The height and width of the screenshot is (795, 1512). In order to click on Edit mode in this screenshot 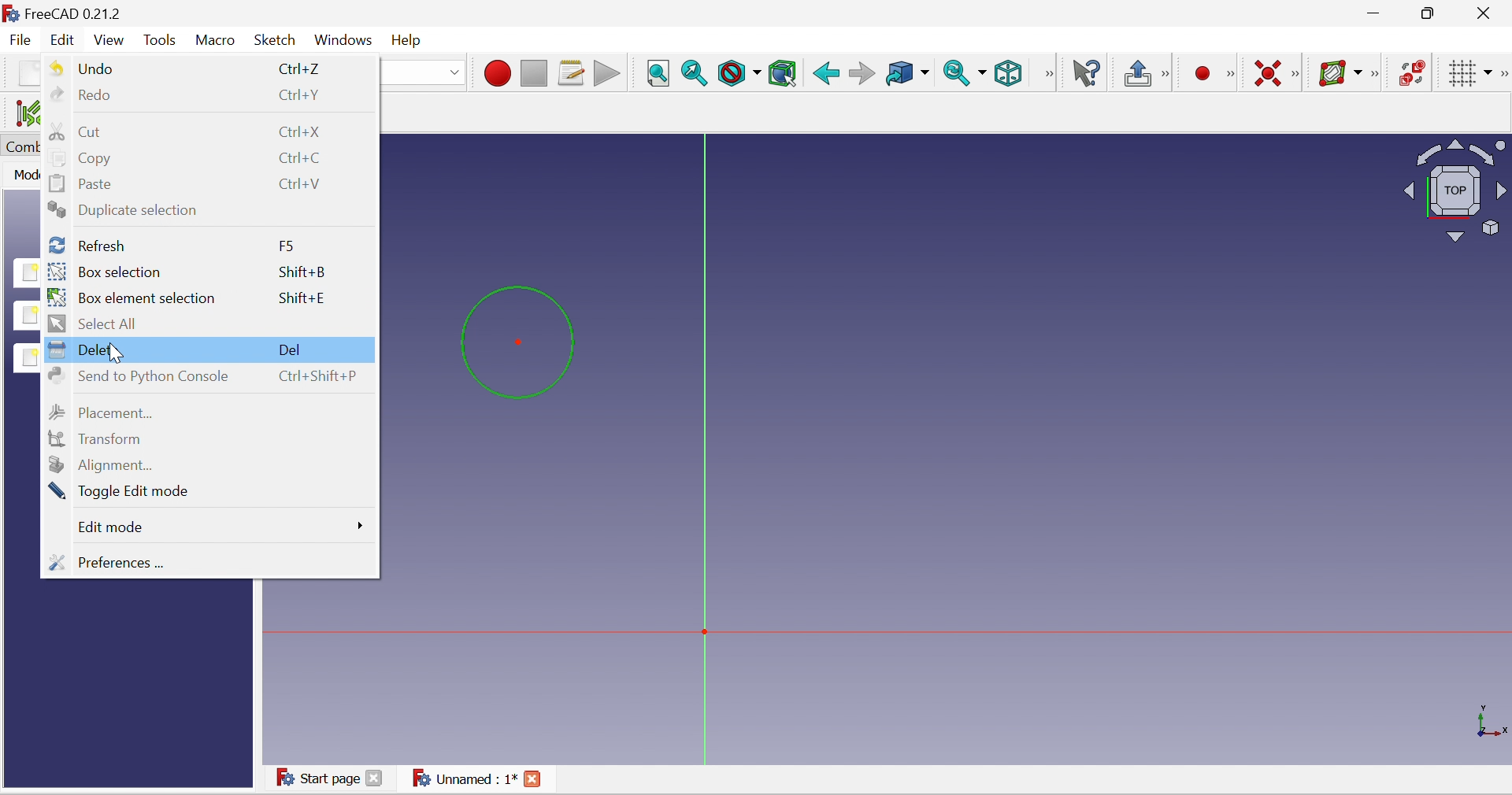, I will do `click(112, 527)`.